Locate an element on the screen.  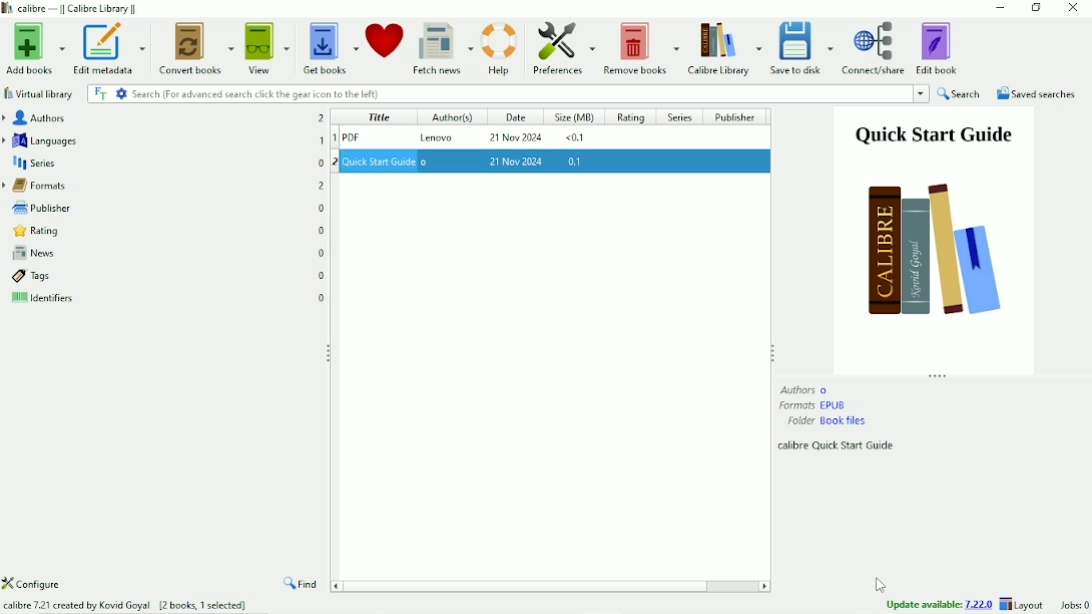
21 Nov 2024 is located at coordinates (517, 160).